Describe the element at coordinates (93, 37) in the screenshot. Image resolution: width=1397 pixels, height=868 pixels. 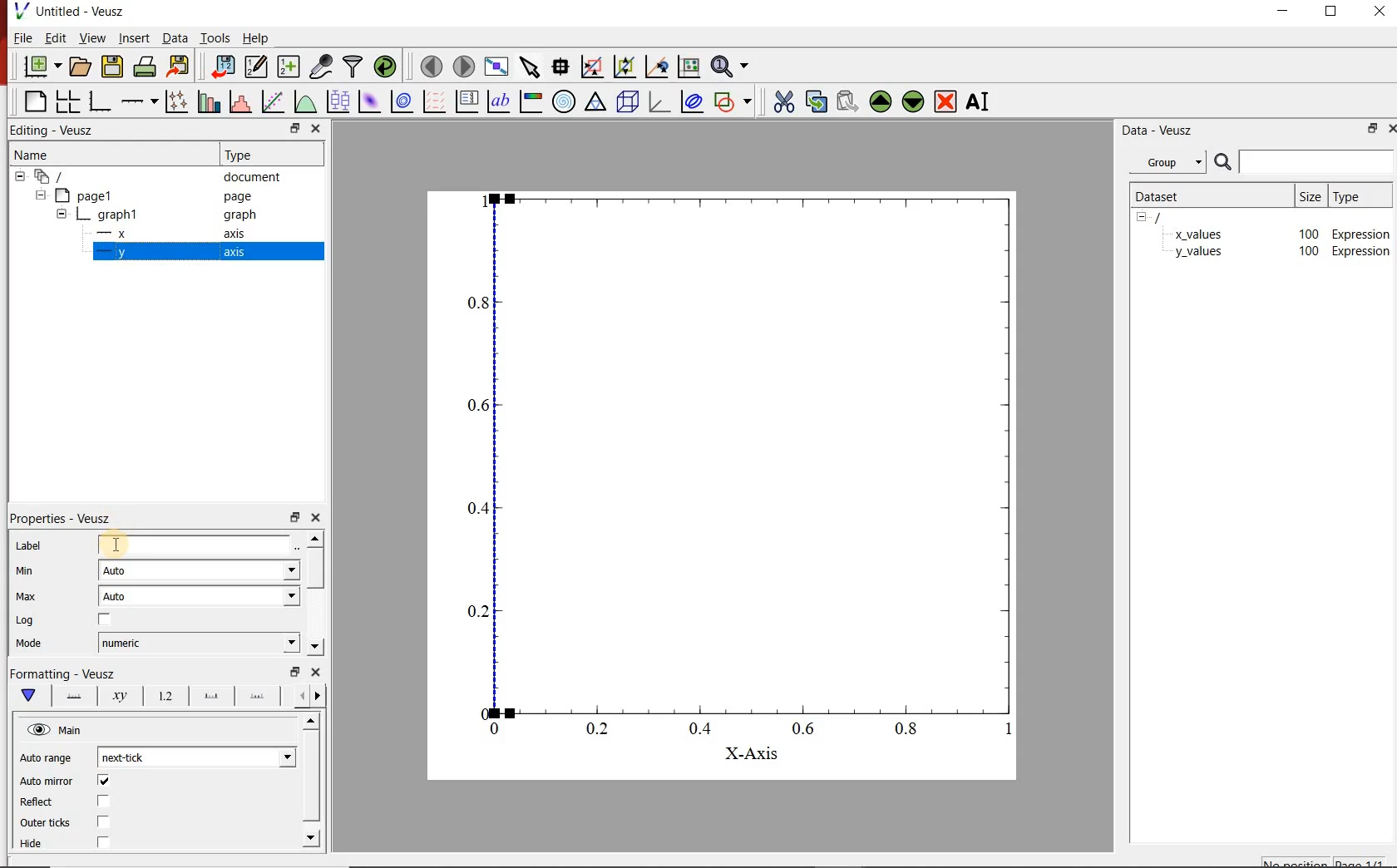
I see `view` at that location.